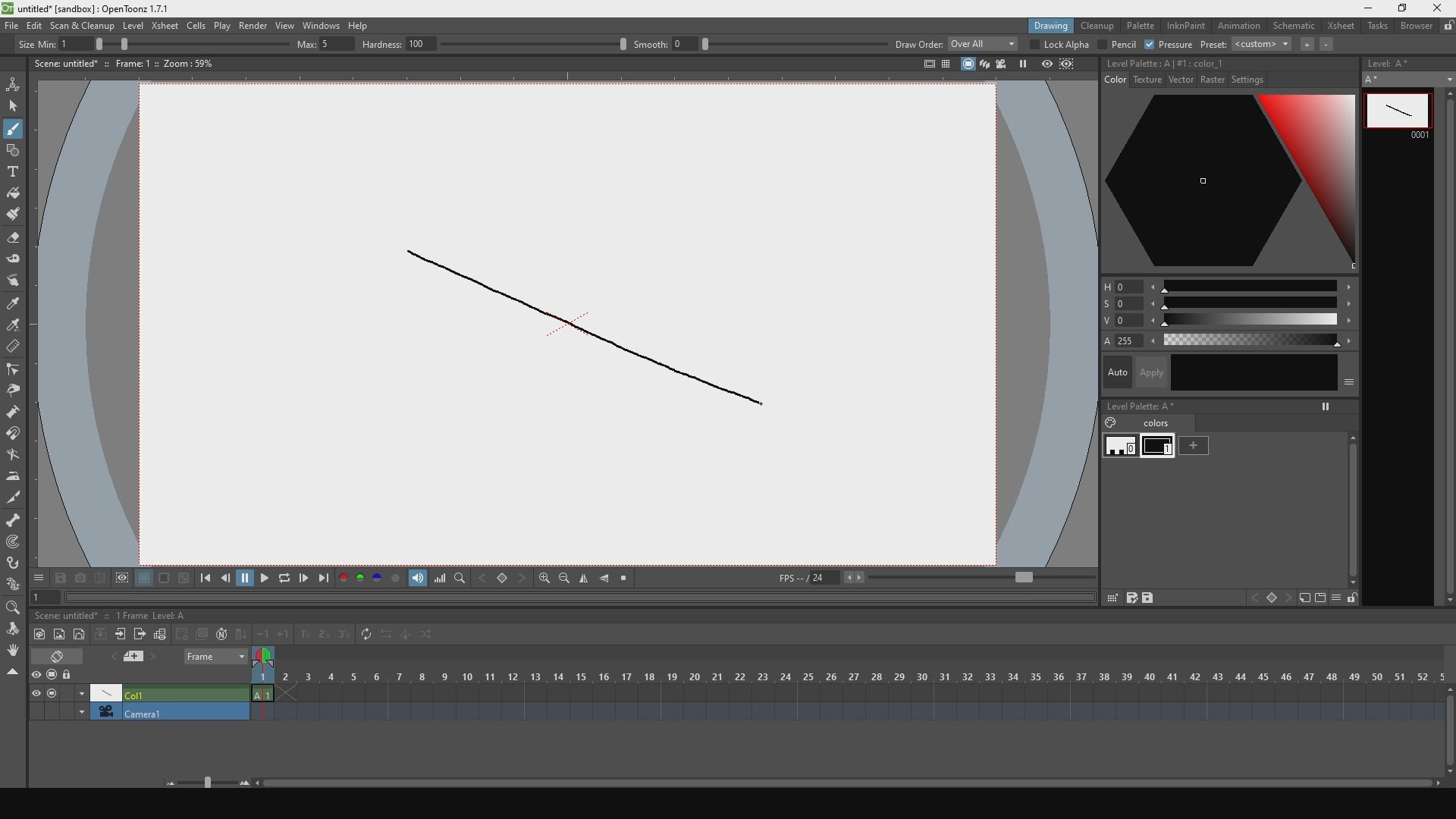 Image resolution: width=1456 pixels, height=819 pixels. What do you see at coordinates (83, 24) in the screenshot?
I see `scan and cleanup` at bounding box center [83, 24].